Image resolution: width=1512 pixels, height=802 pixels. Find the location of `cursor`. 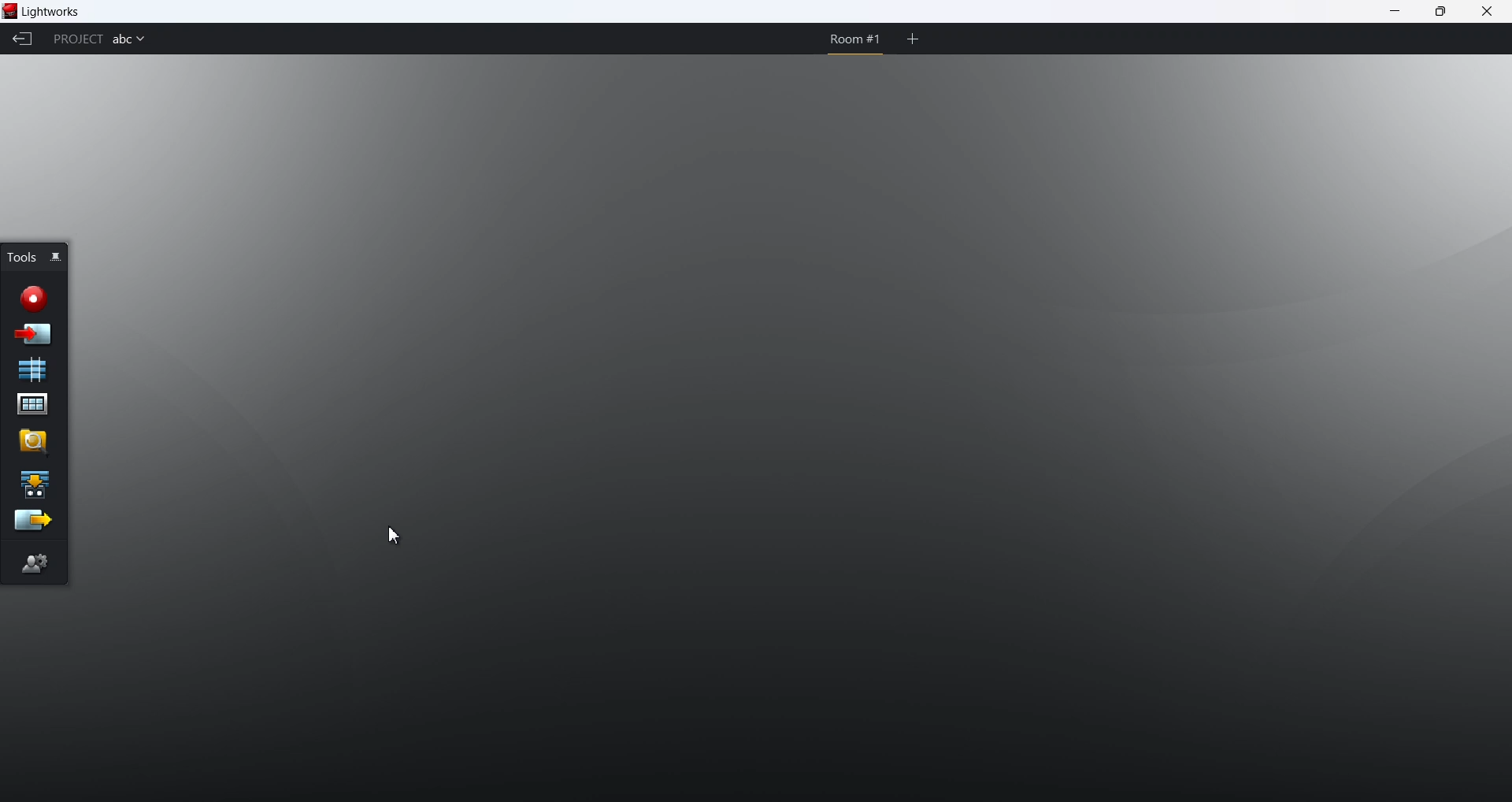

cursor is located at coordinates (394, 536).